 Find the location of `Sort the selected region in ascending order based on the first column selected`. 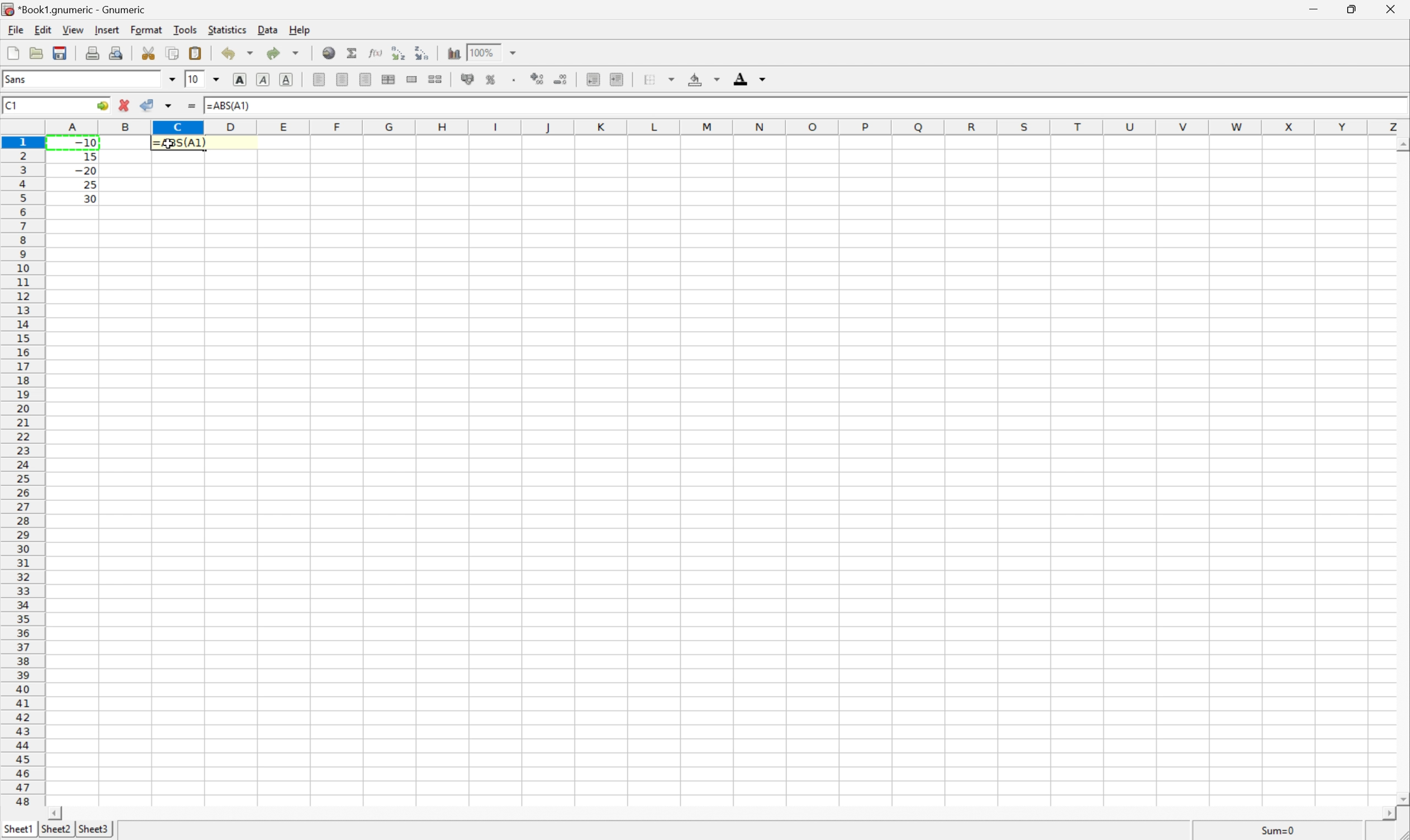

Sort the selected region in ascending order based on the first column selected is located at coordinates (396, 52).